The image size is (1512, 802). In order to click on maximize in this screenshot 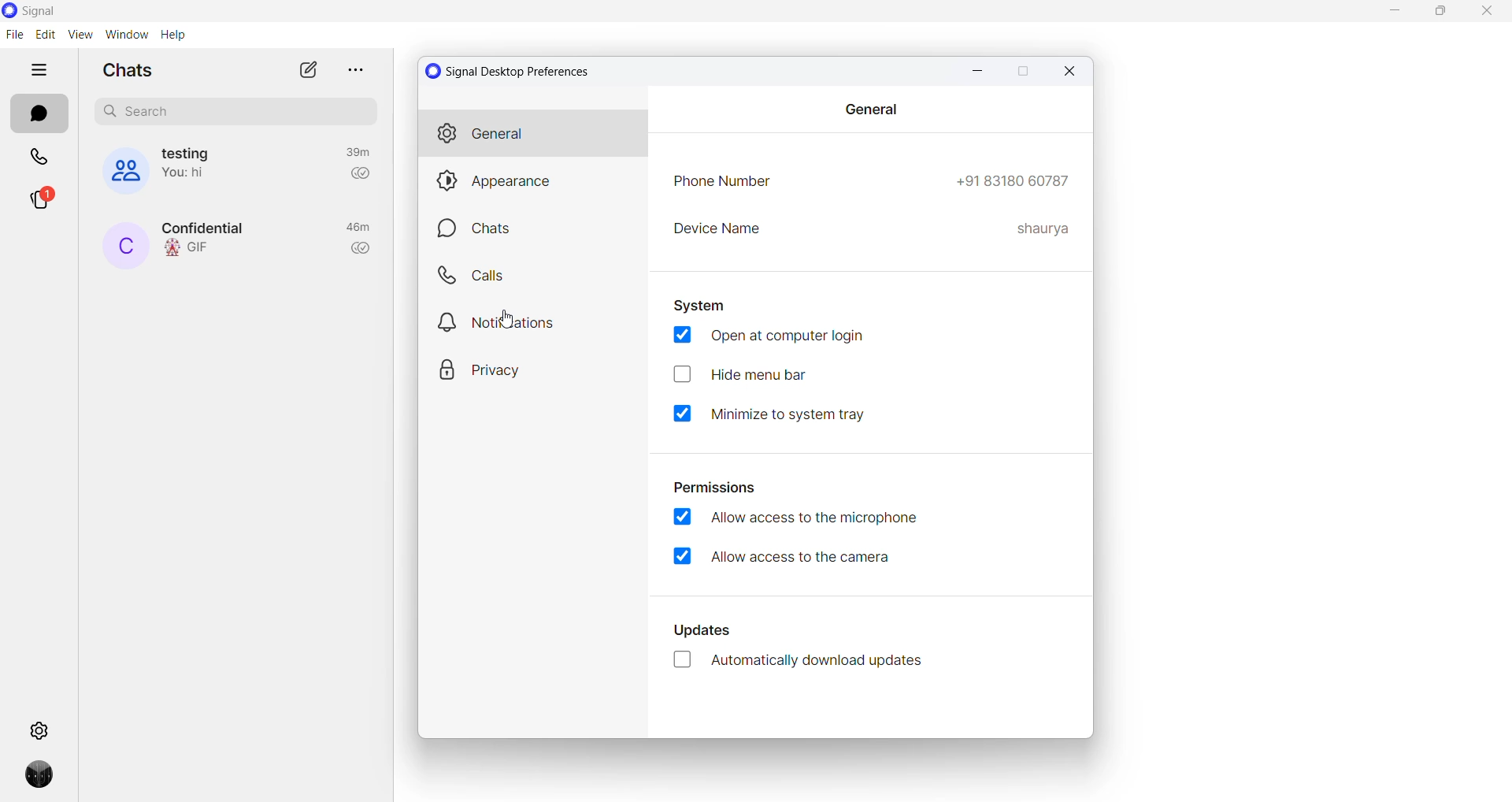, I will do `click(1443, 14)`.